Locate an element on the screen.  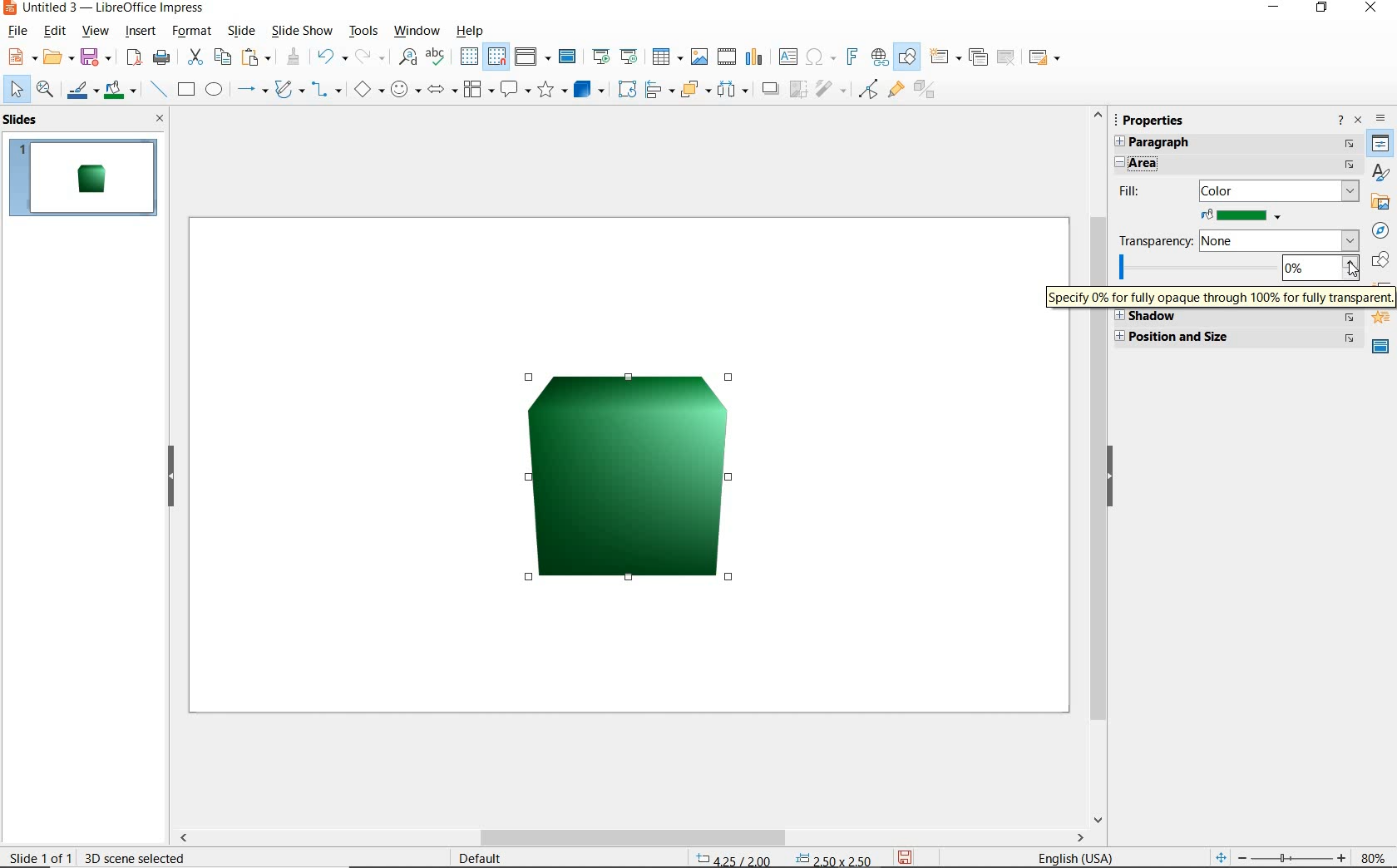
OPACITY SCALE: 0% is located at coordinates (1236, 267).